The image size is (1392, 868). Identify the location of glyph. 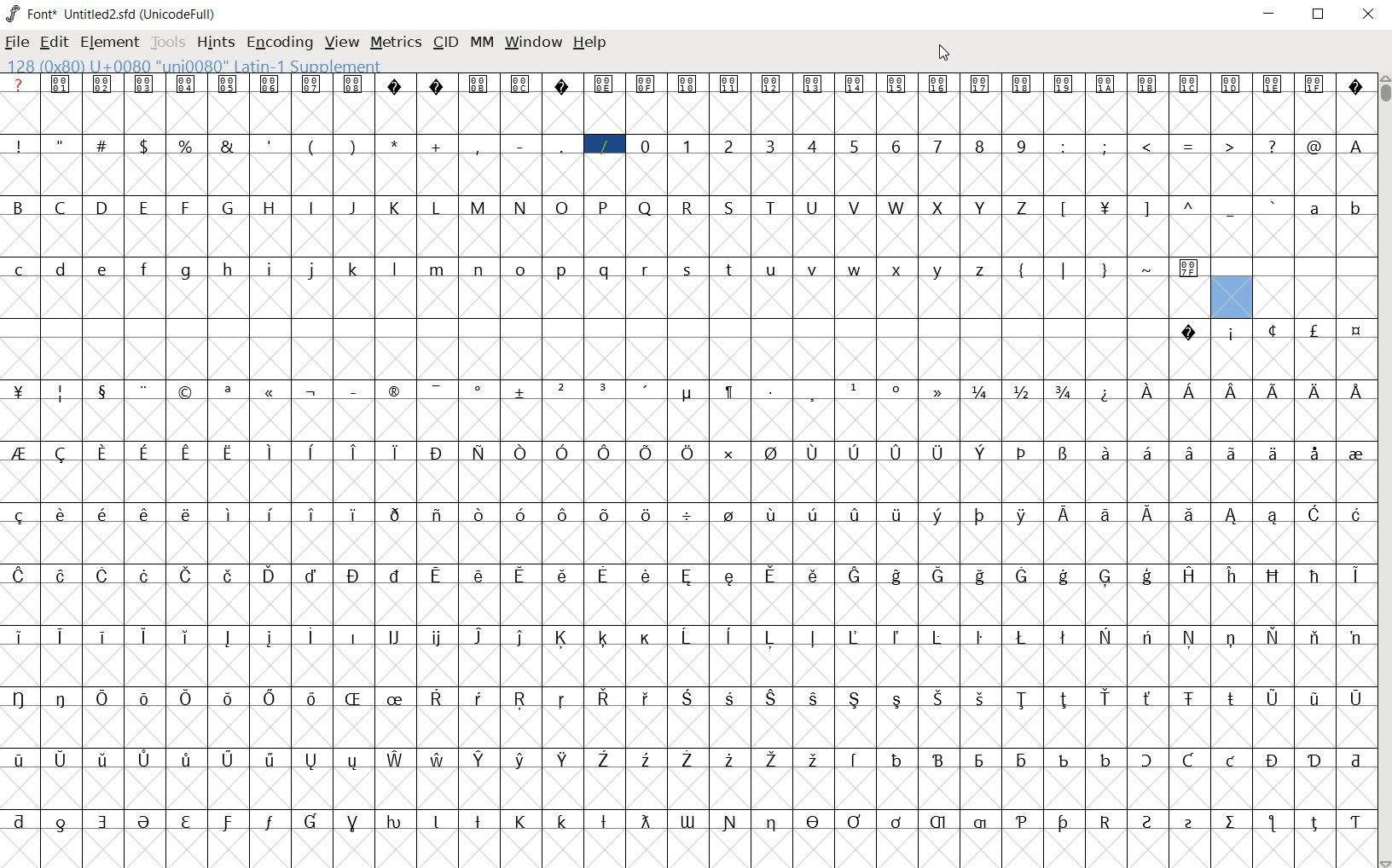
(854, 821).